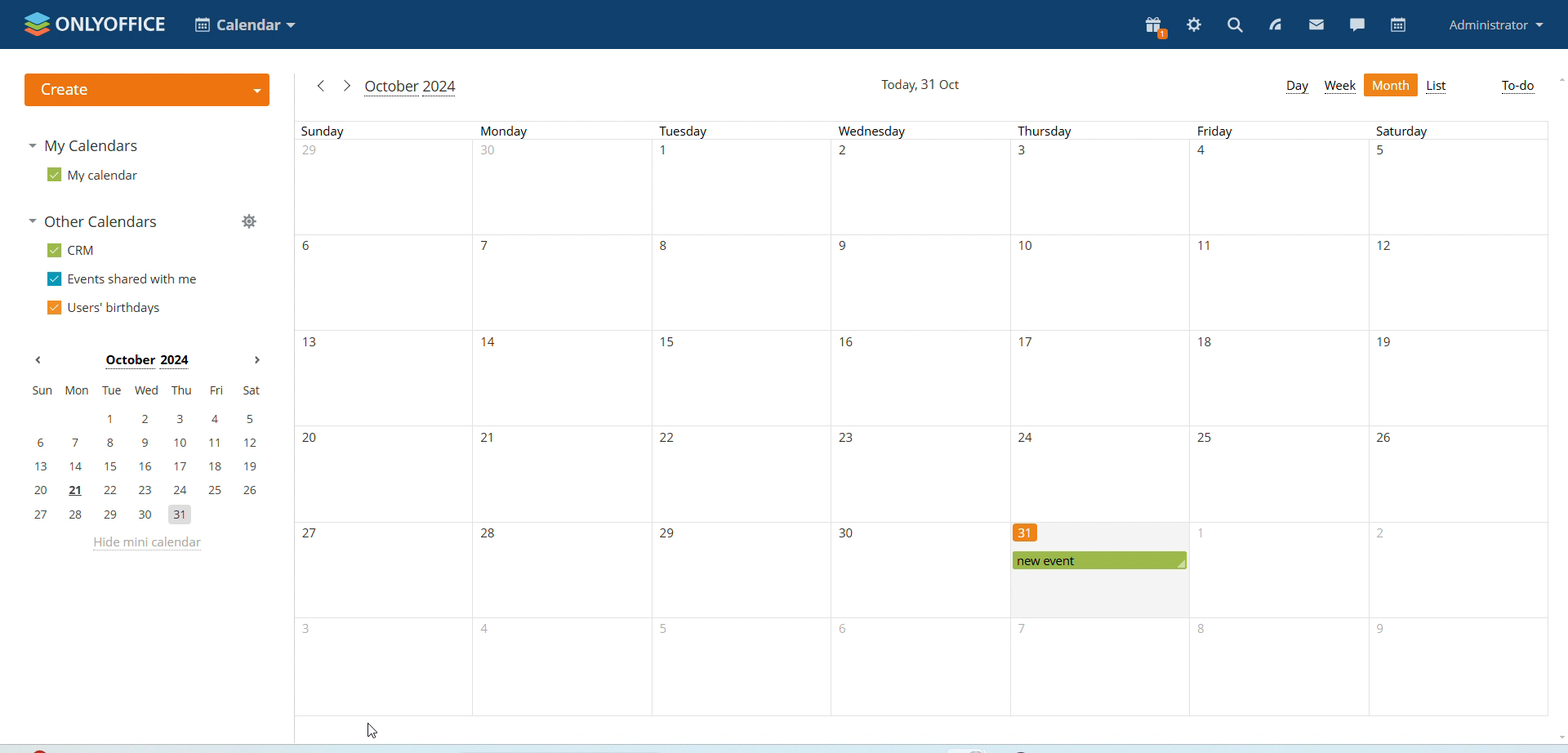 The image size is (1568, 753). Describe the element at coordinates (90, 180) in the screenshot. I see `my calendar` at that location.